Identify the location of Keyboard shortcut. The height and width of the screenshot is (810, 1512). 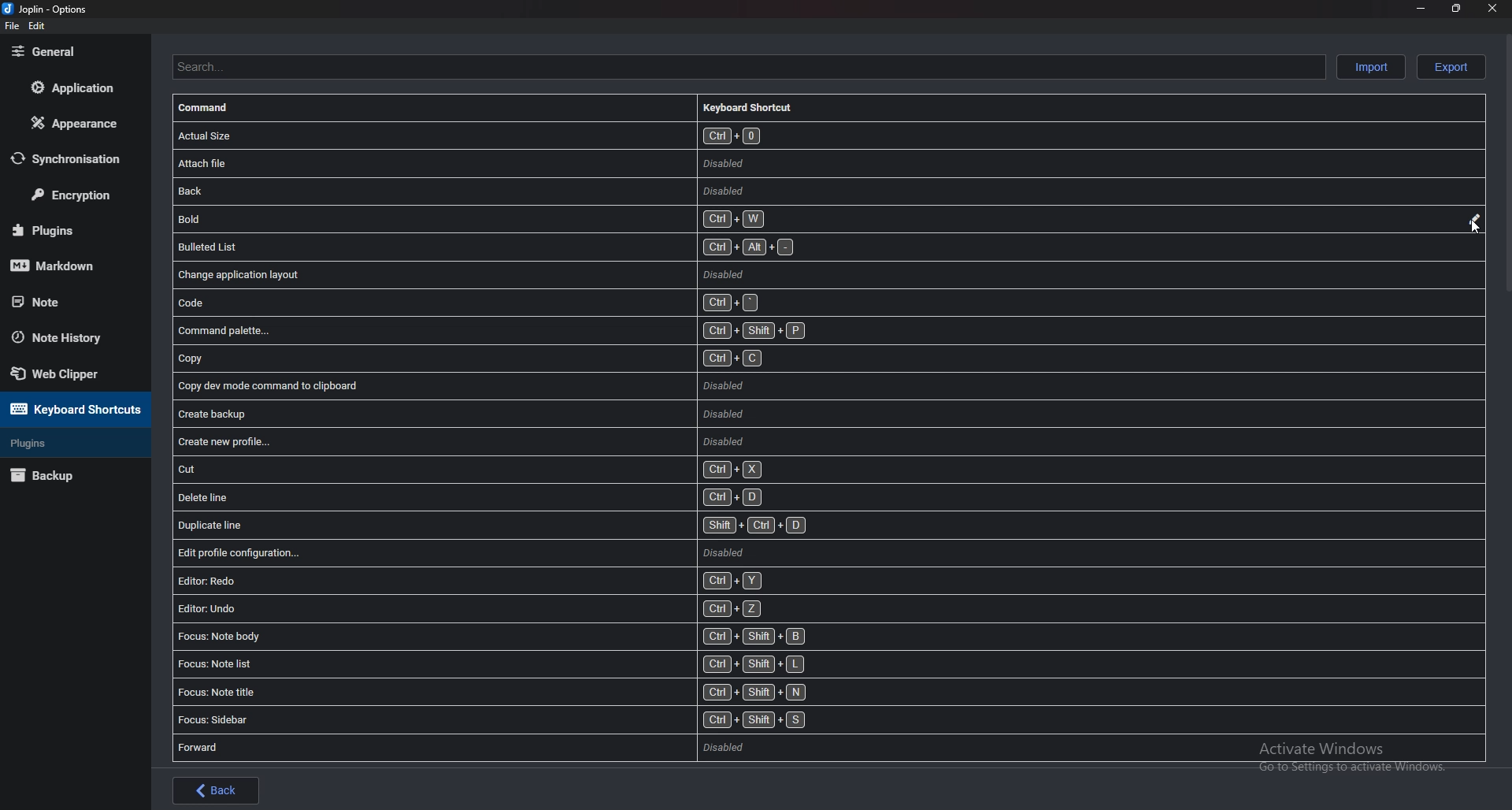
(756, 106).